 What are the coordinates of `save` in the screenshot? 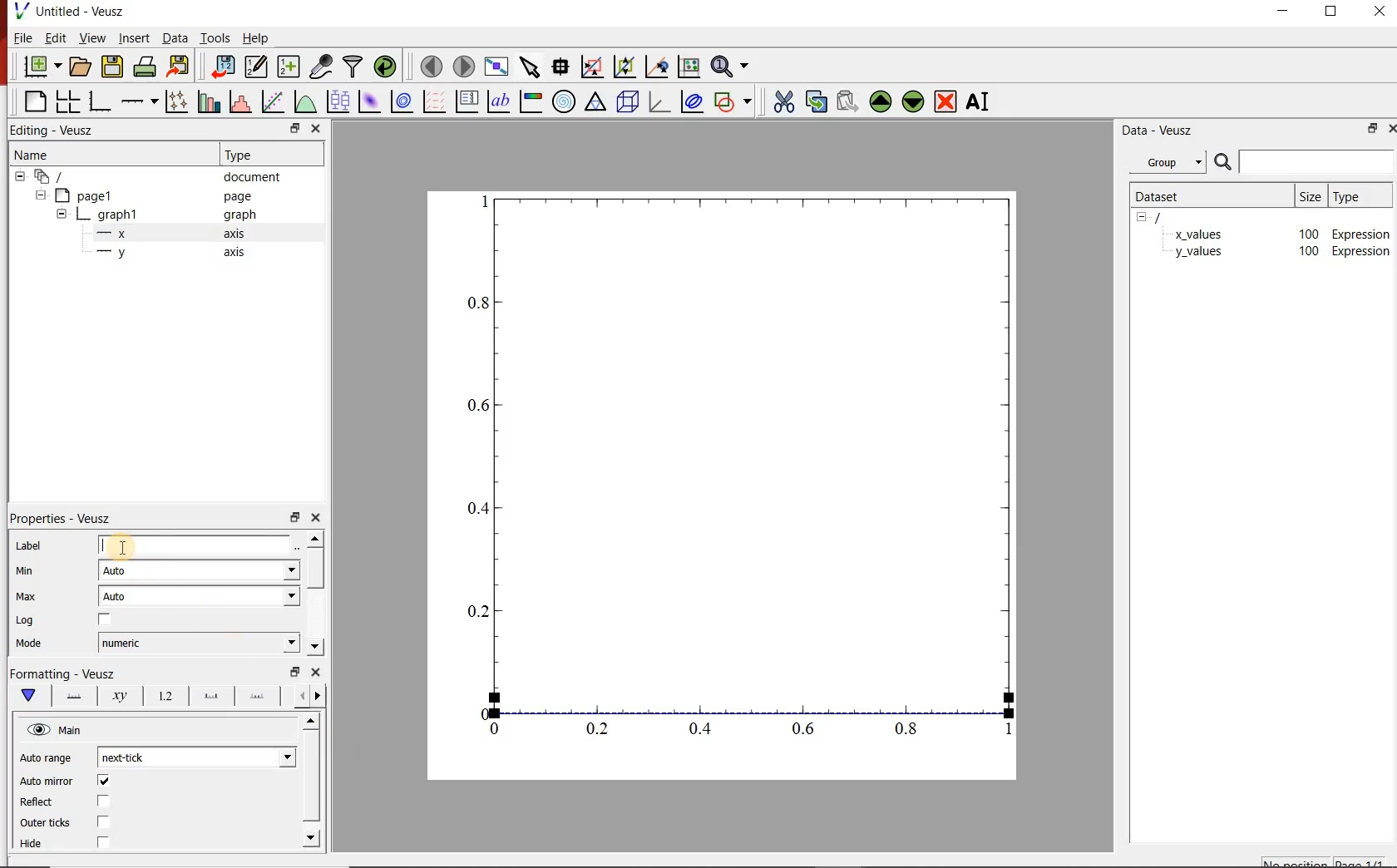 It's located at (113, 66).